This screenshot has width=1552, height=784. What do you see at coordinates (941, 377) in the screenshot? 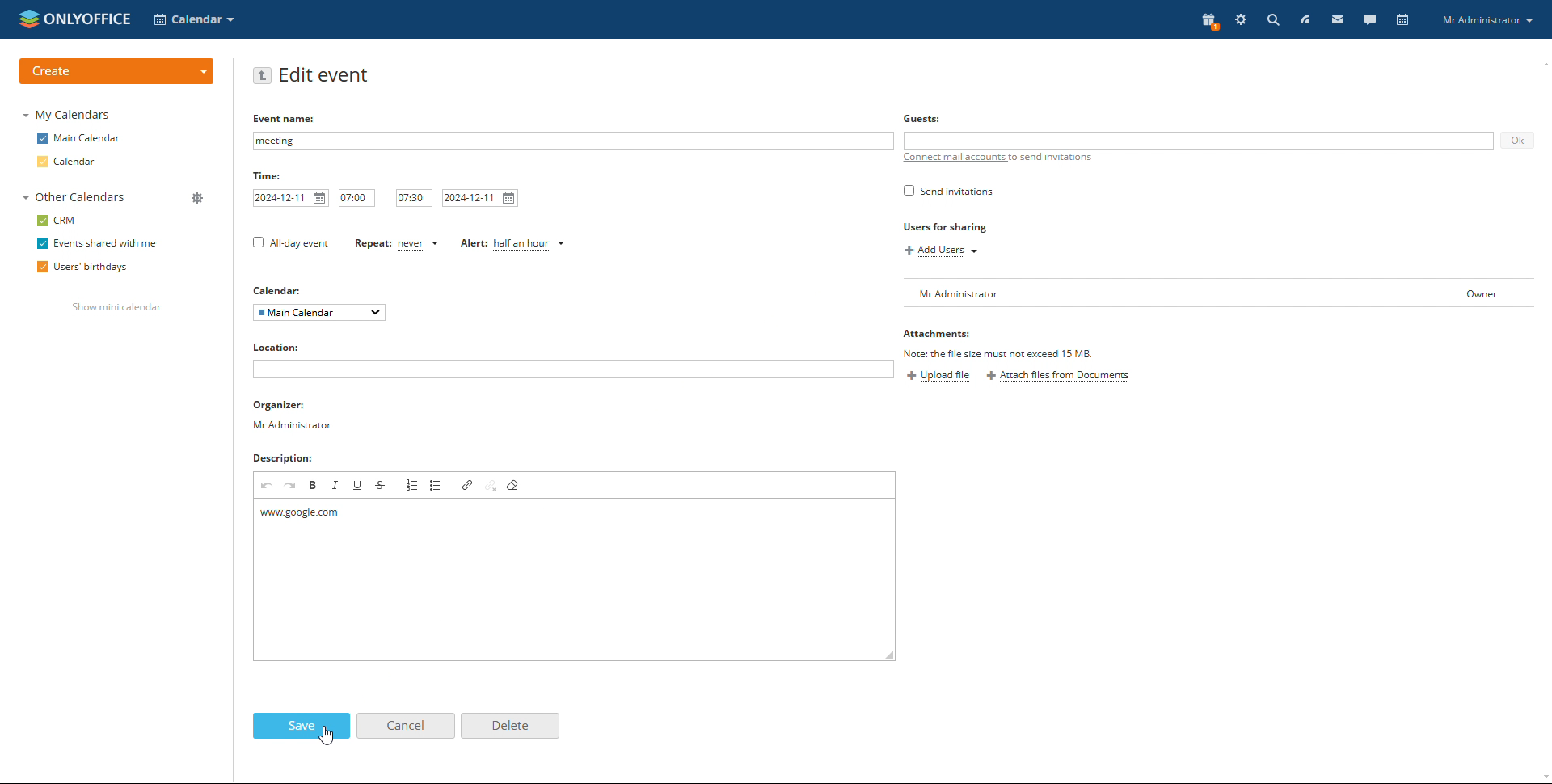
I see `upload file` at bounding box center [941, 377].